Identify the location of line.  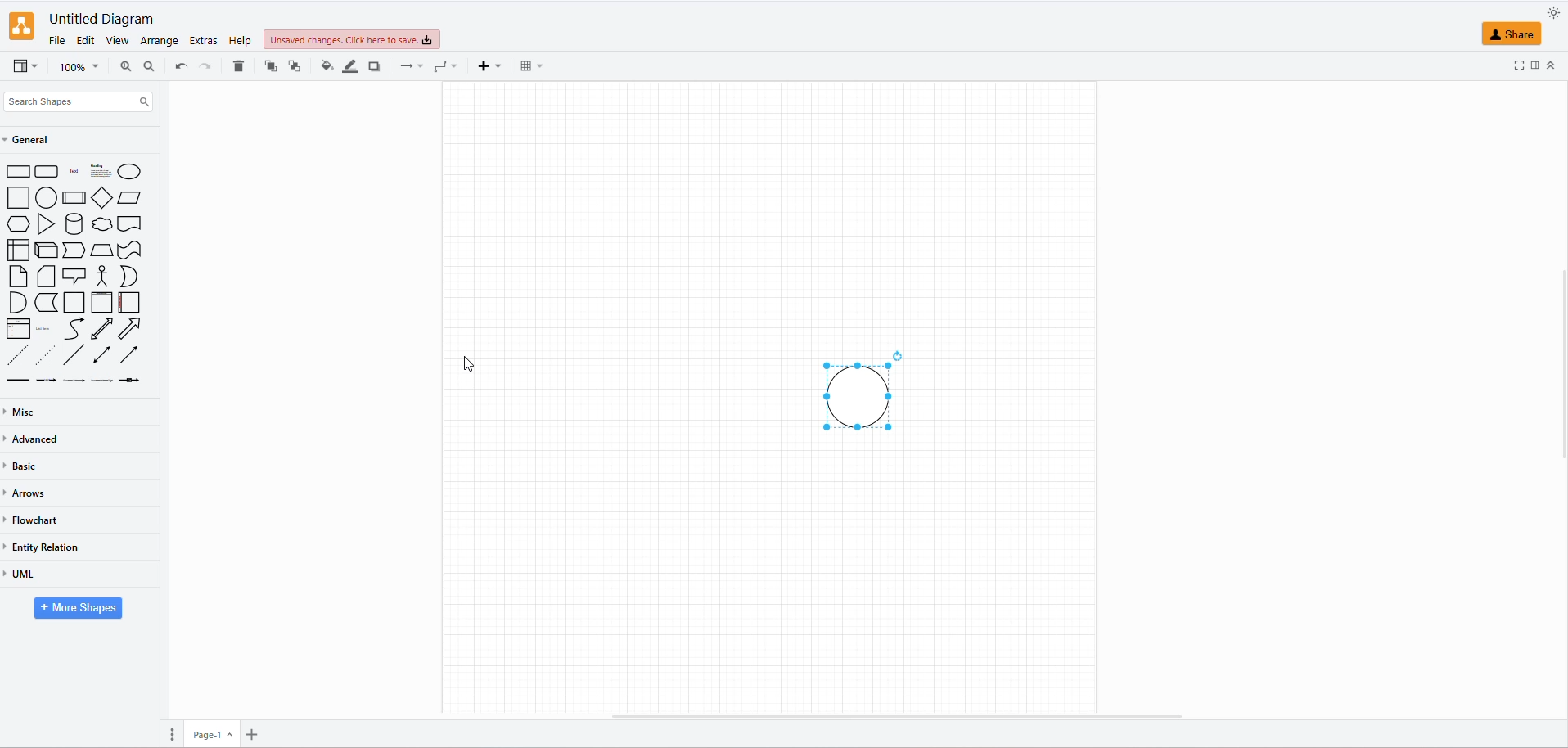
(18, 381).